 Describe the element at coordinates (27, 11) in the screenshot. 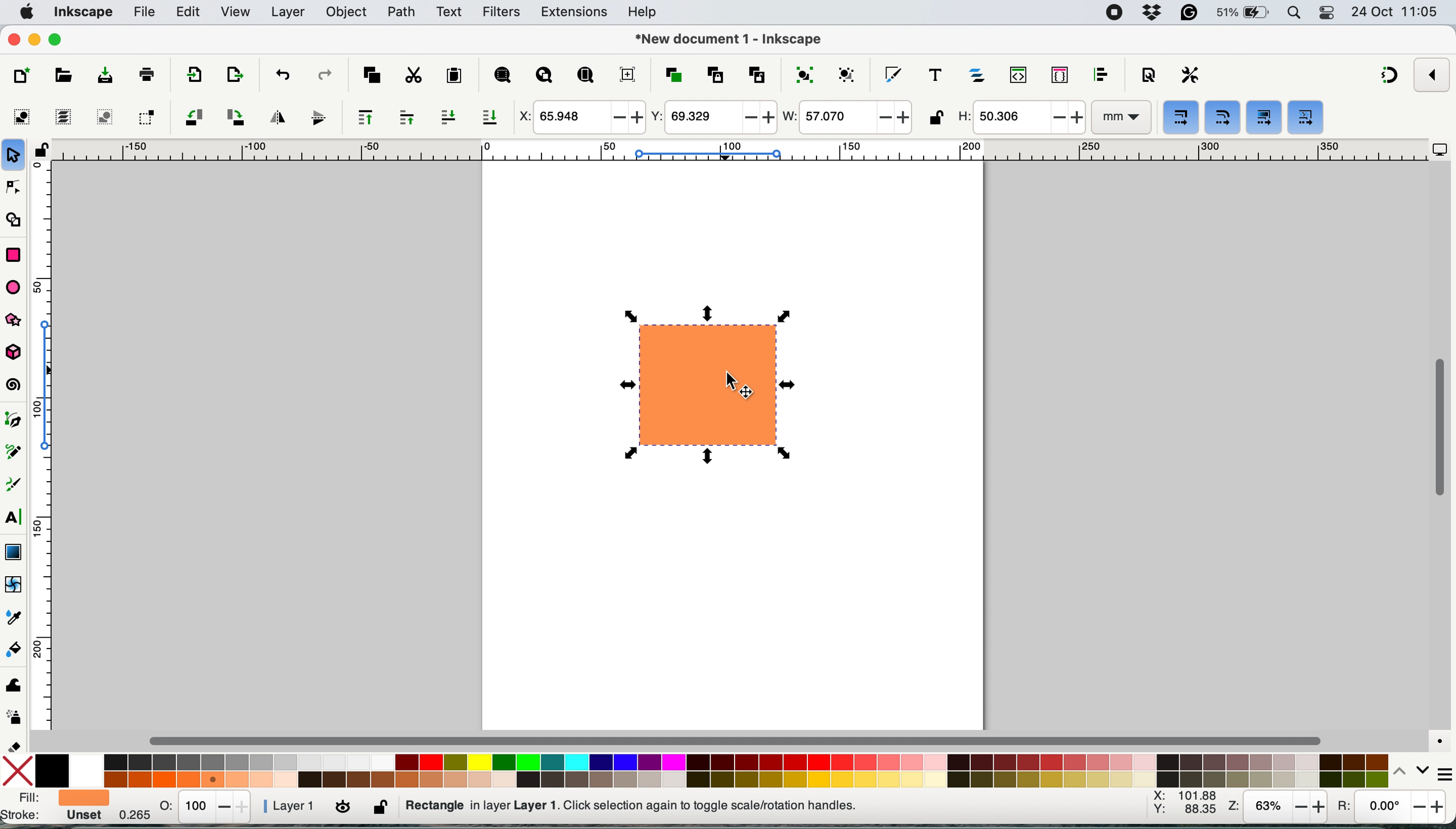

I see `system logo` at that location.